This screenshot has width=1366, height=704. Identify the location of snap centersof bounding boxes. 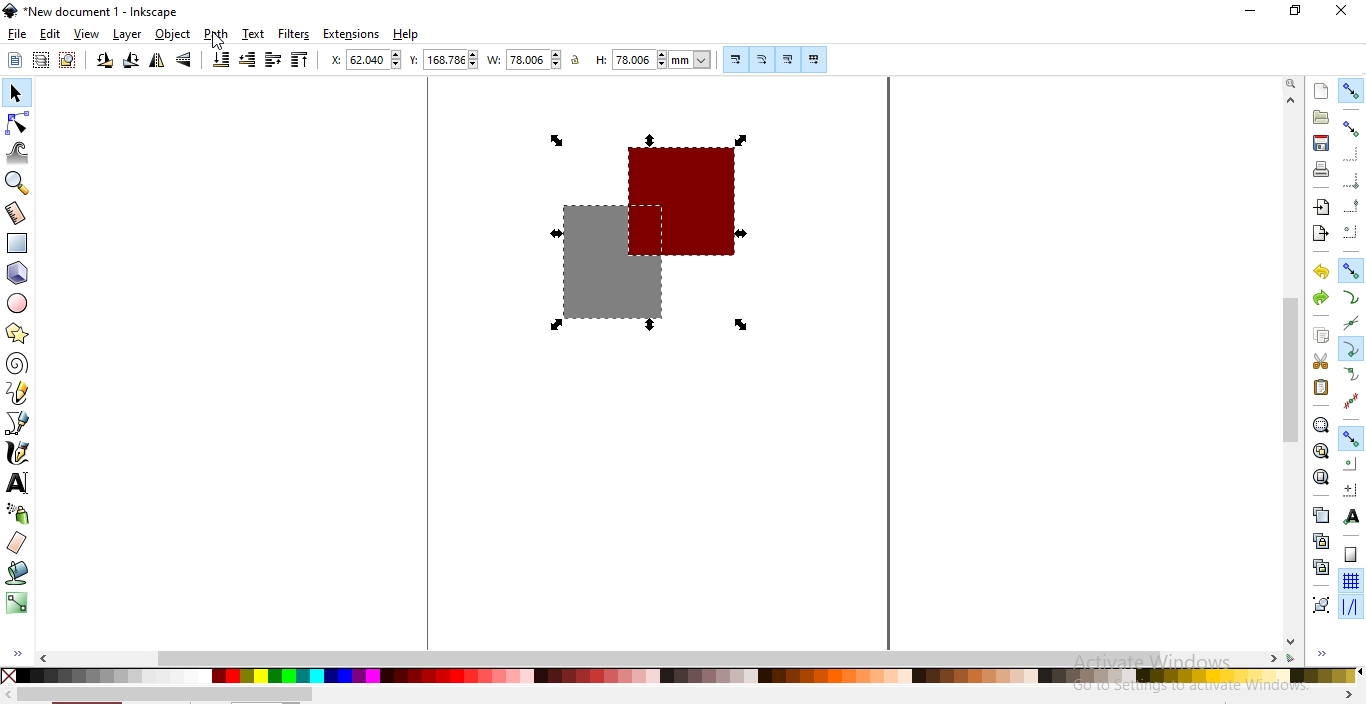
(1349, 233).